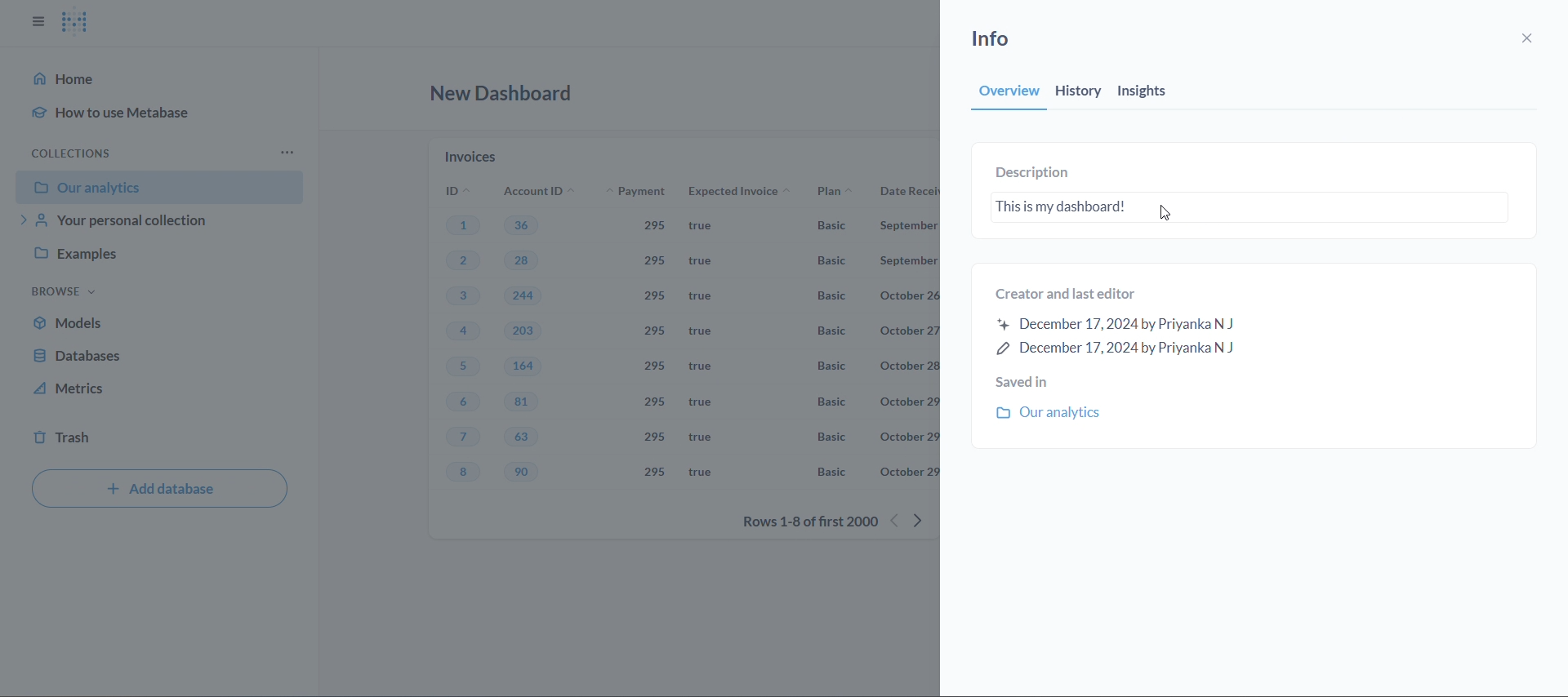  What do you see at coordinates (460, 297) in the screenshot?
I see `3` at bounding box center [460, 297].